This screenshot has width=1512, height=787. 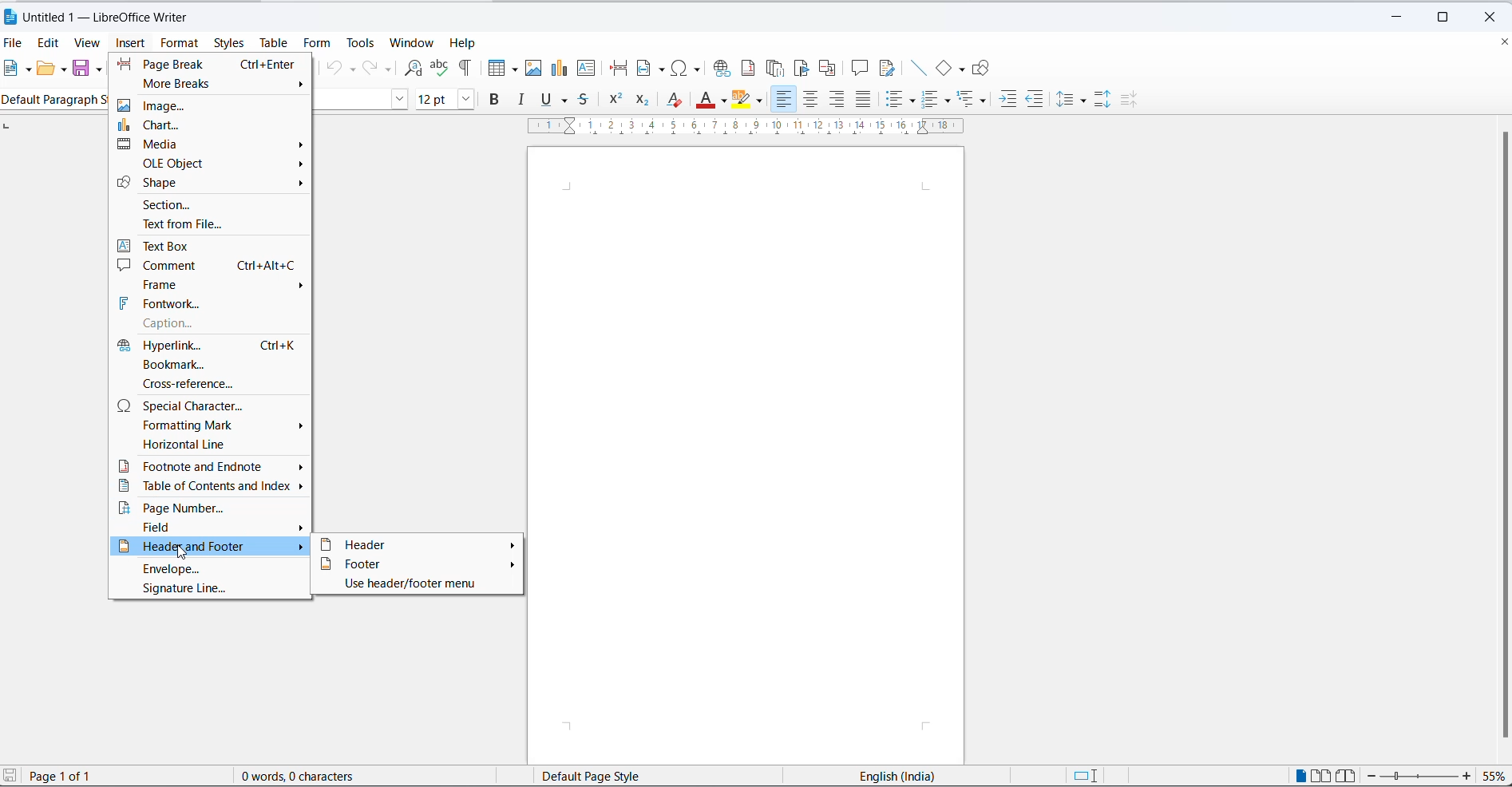 What do you see at coordinates (212, 486) in the screenshot?
I see `table of contents and index` at bounding box center [212, 486].